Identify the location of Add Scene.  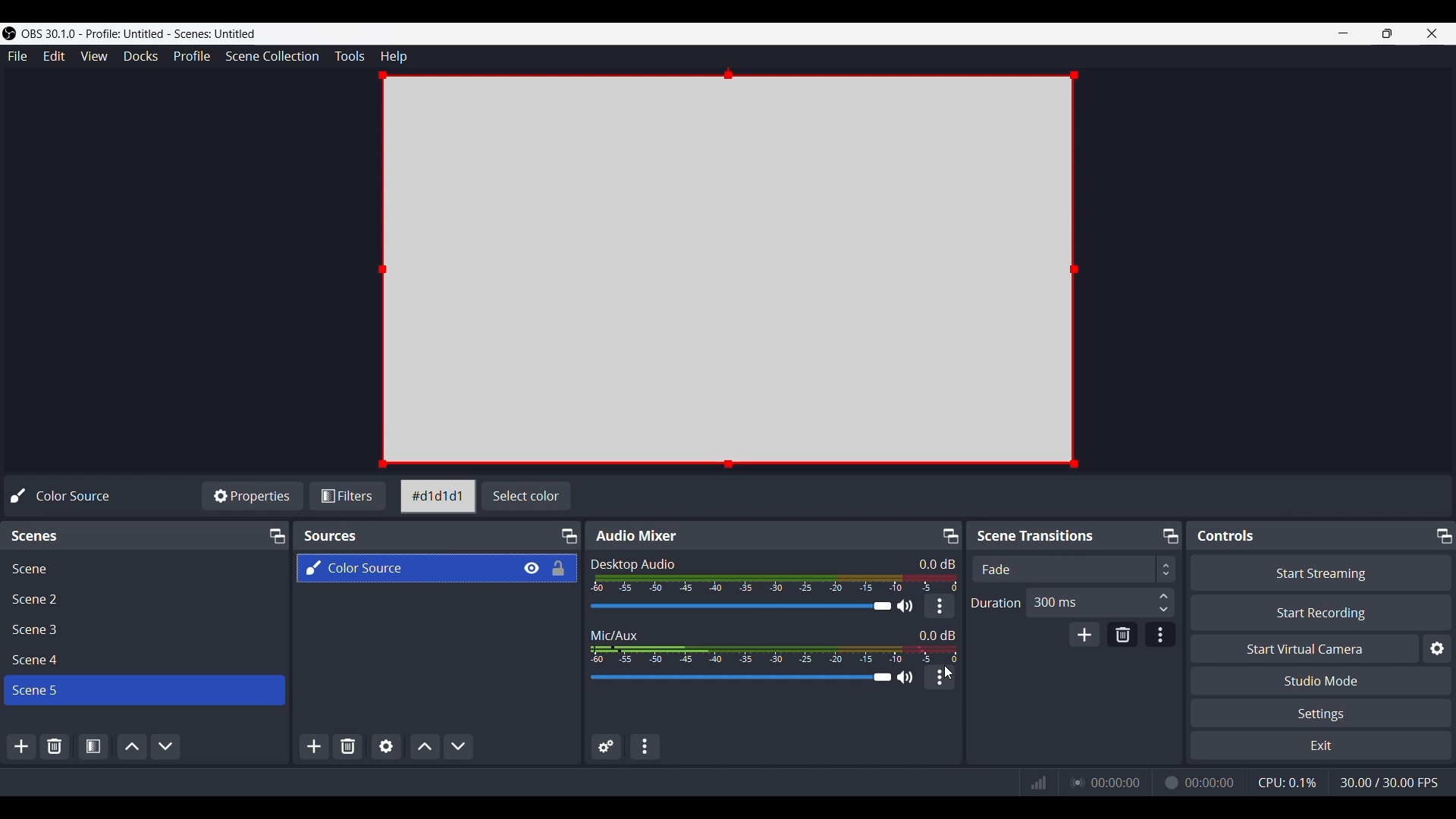
(21, 746).